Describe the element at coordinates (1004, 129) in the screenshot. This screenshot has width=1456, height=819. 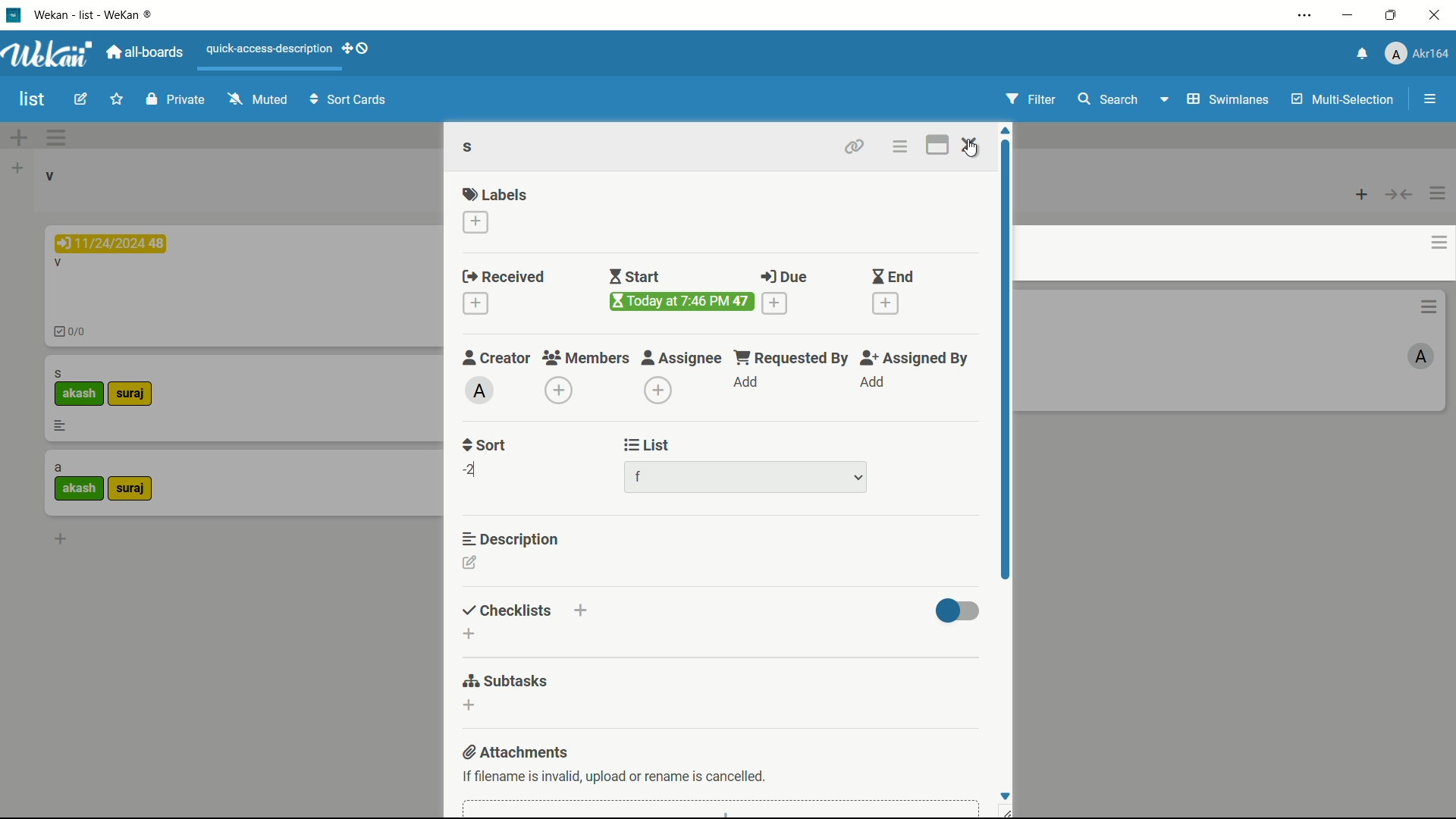
I see `Scroll up` at that location.